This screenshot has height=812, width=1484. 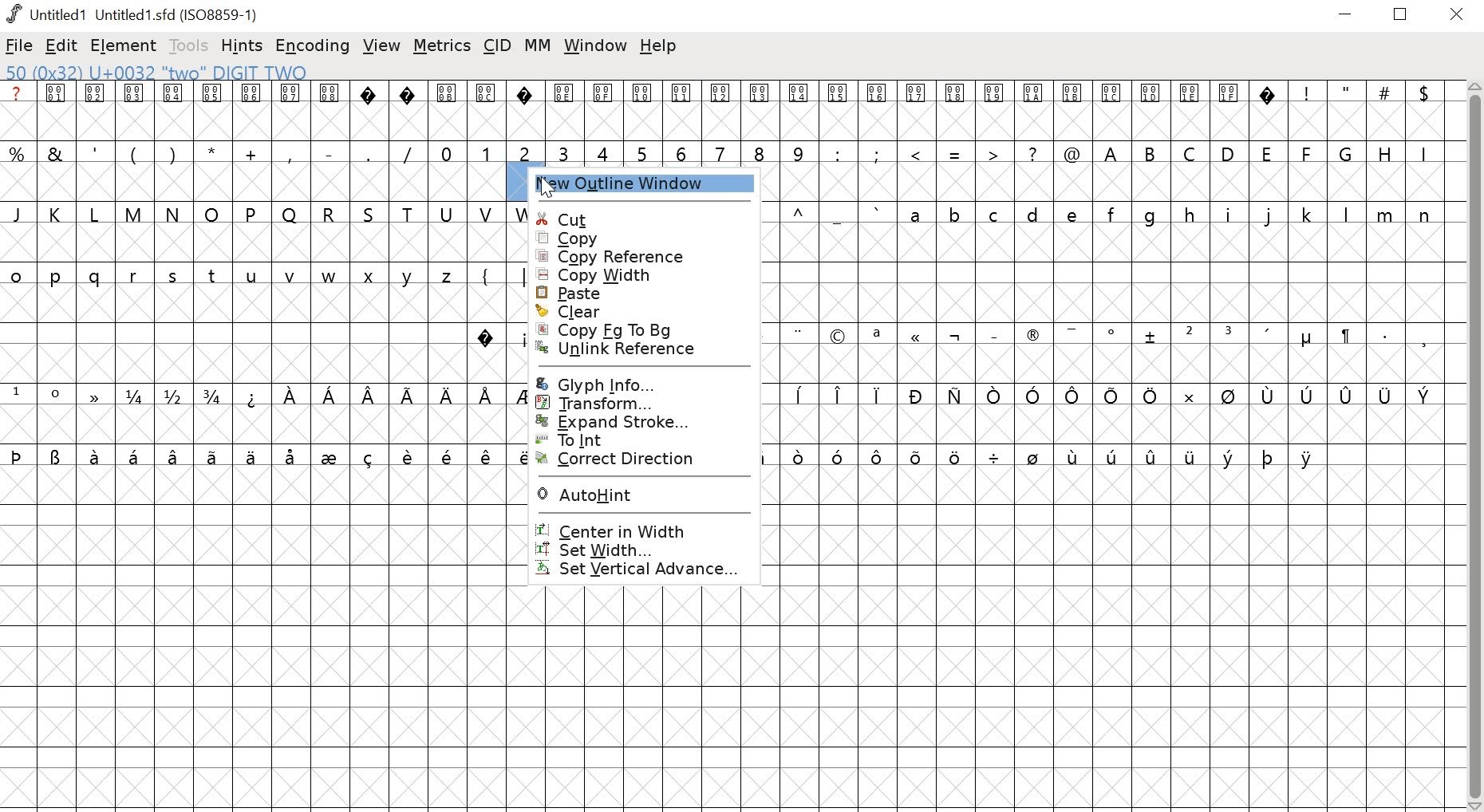 What do you see at coordinates (125, 45) in the screenshot?
I see `element` at bounding box center [125, 45].